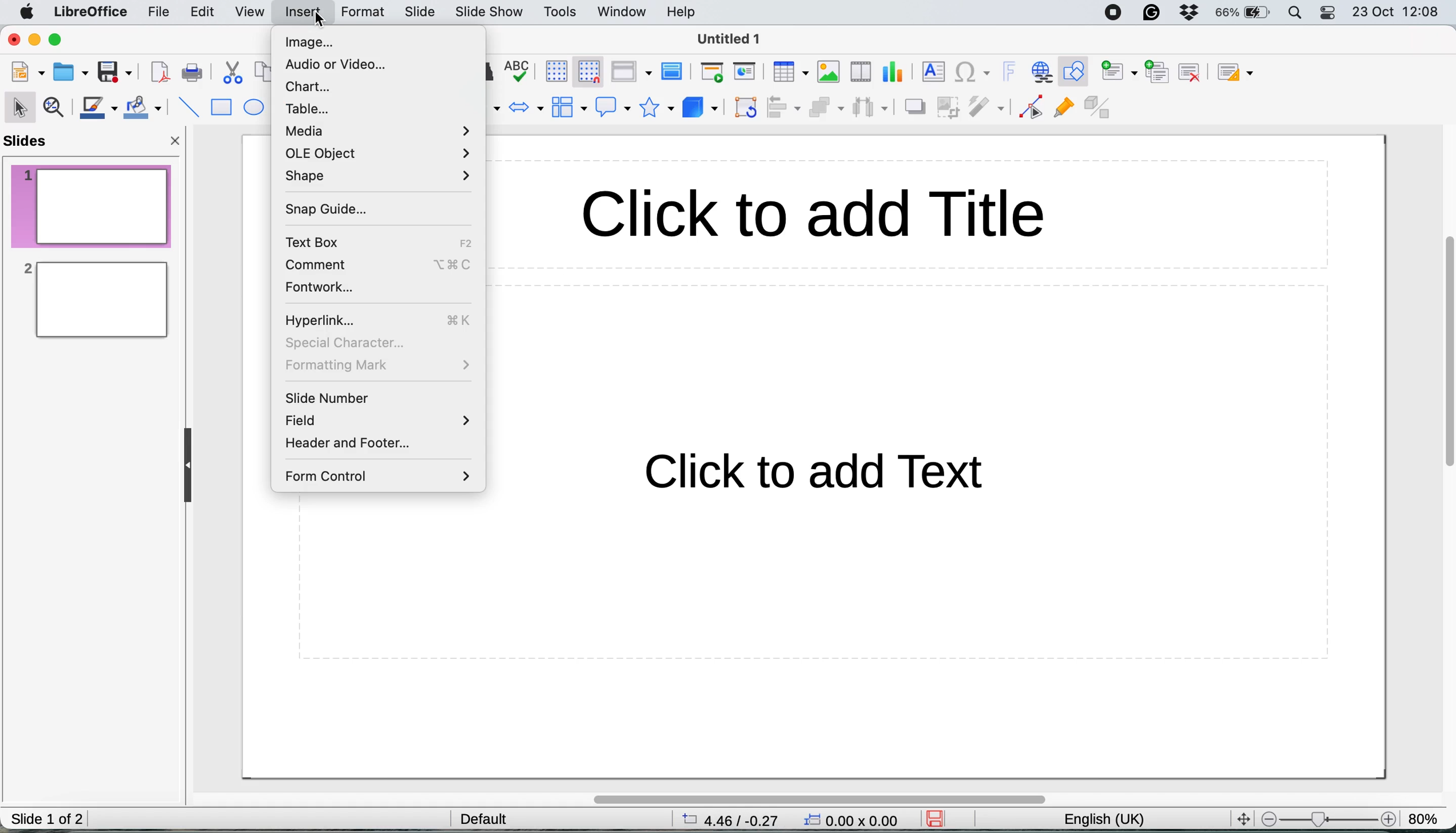 The height and width of the screenshot is (833, 1456). What do you see at coordinates (785, 108) in the screenshot?
I see `align objects` at bounding box center [785, 108].